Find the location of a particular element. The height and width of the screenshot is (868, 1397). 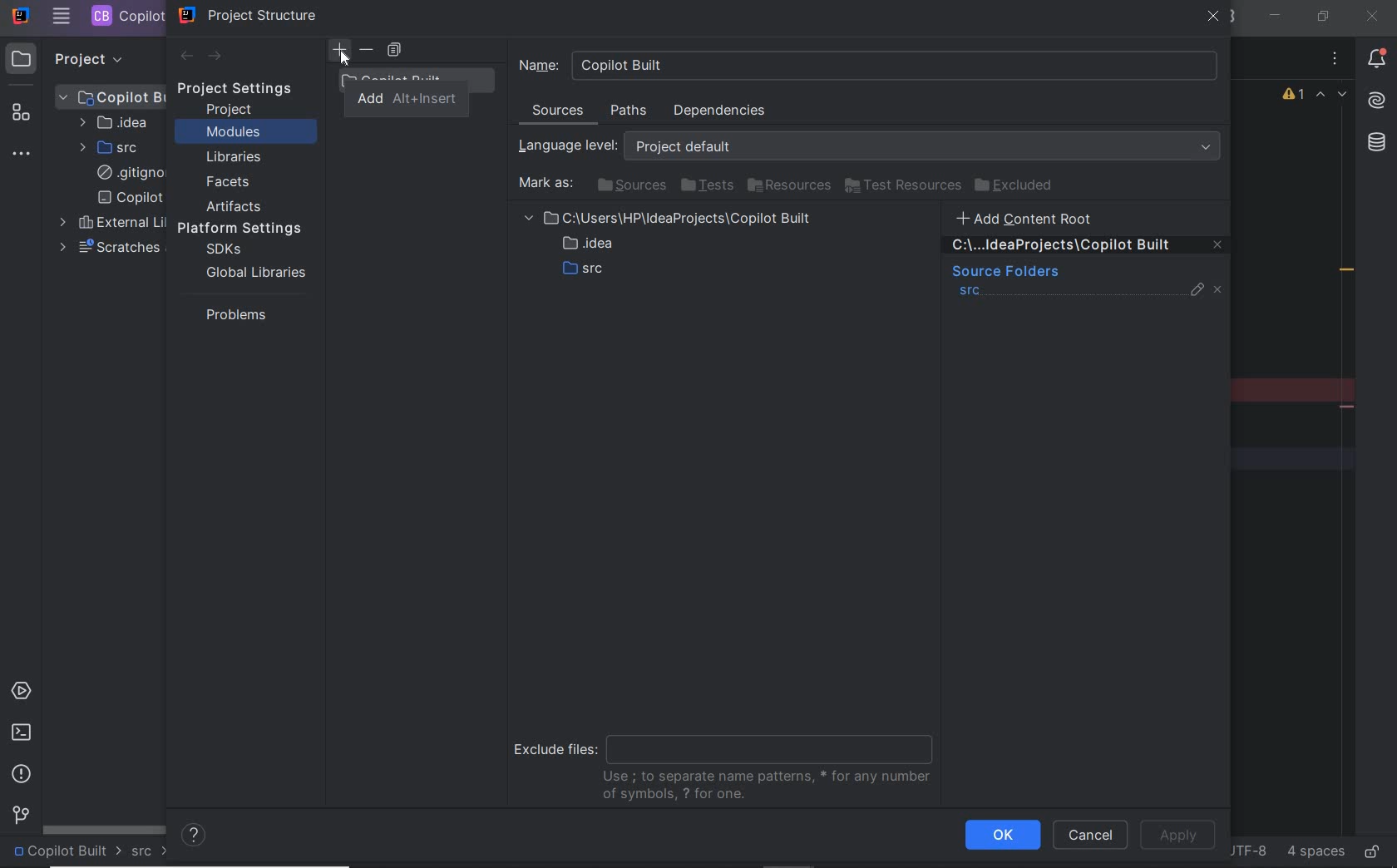

notifications is located at coordinates (1377, 61).